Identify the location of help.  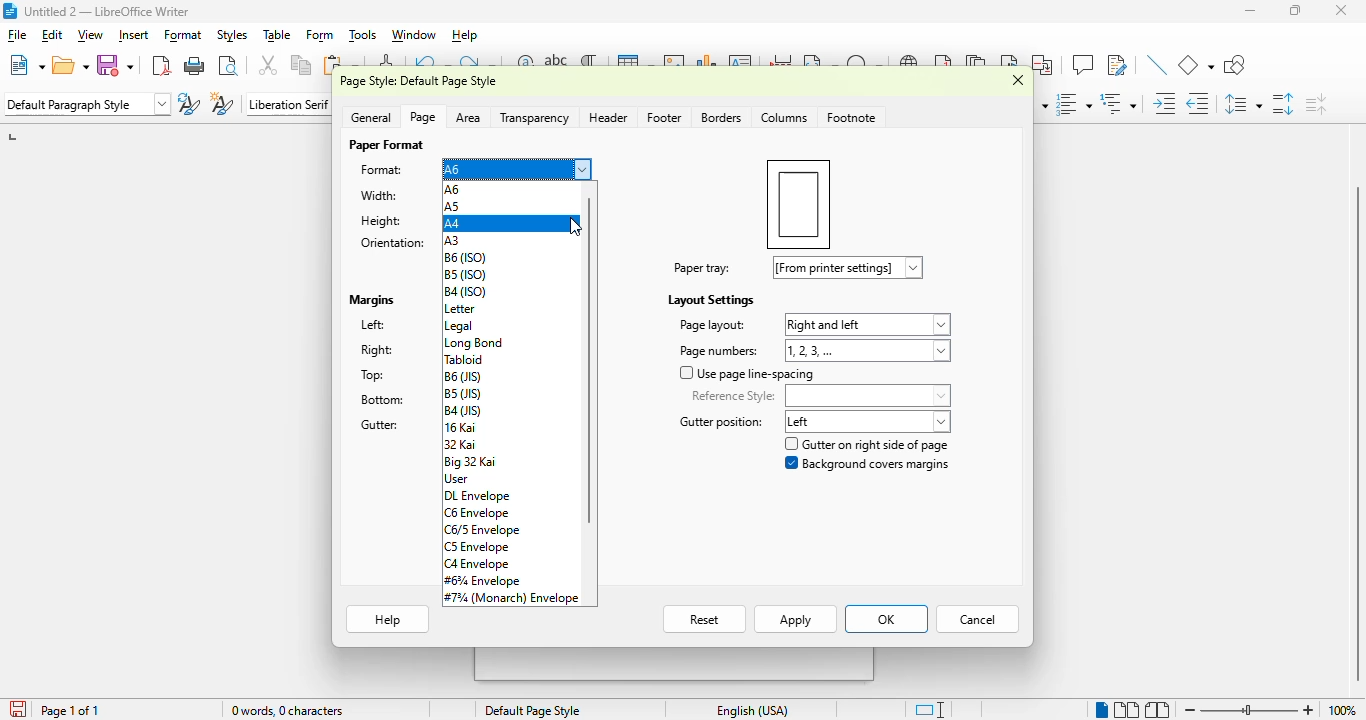
(465, 34).